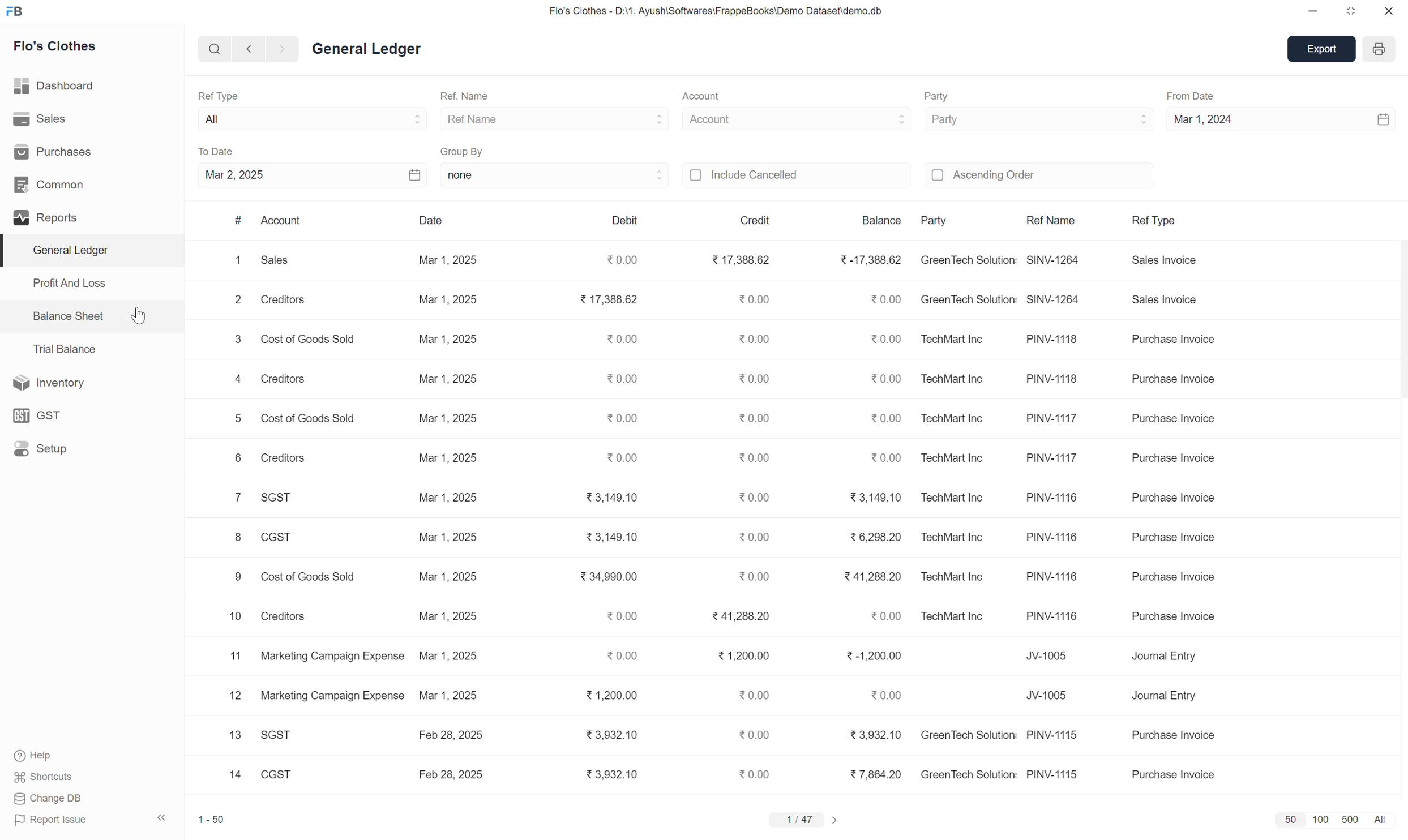  I want to click on 2, so click(239, 301).